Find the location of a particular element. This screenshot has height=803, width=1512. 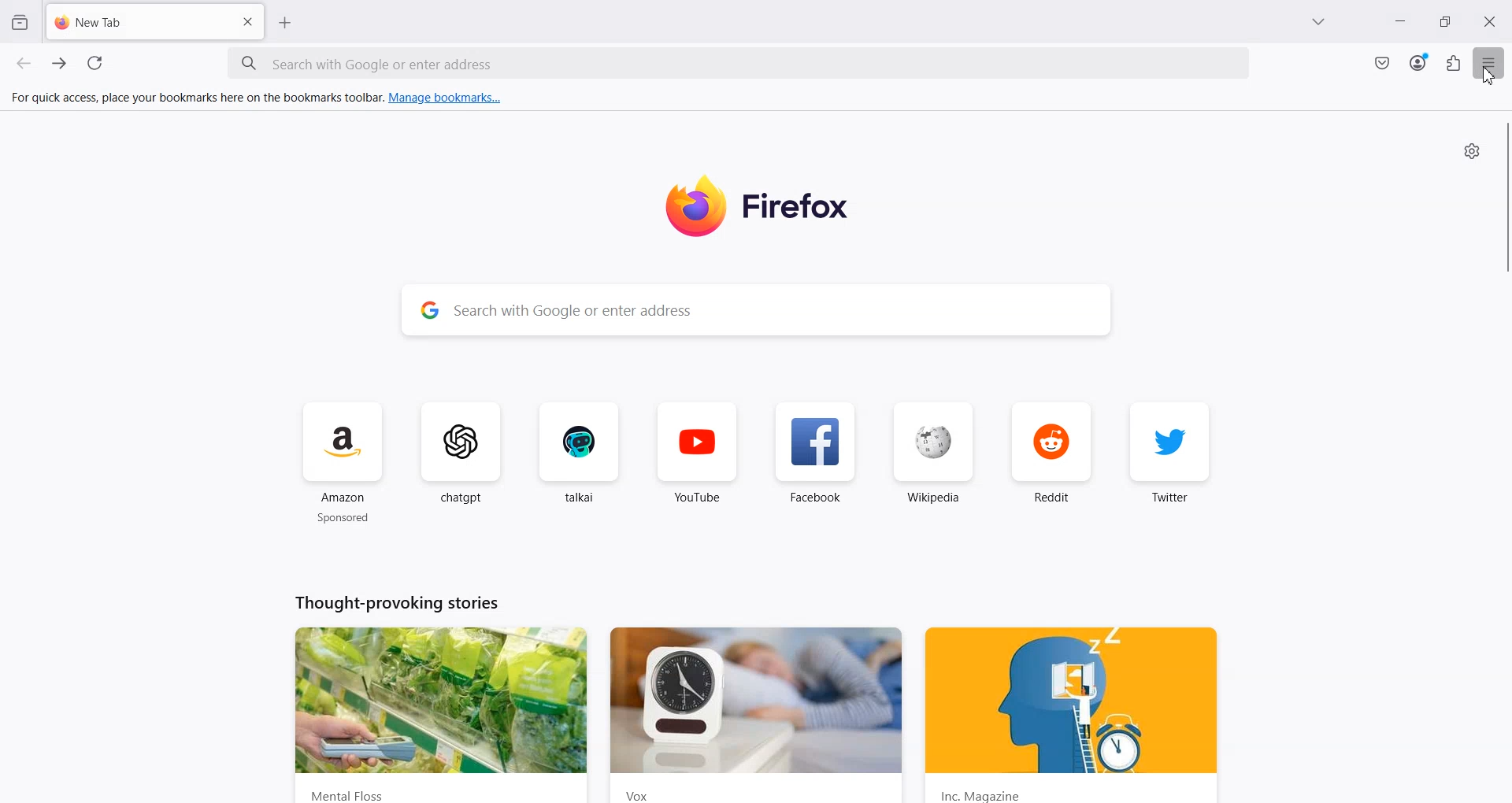

Thought-provoking stories is located at coordinates (399, 604).